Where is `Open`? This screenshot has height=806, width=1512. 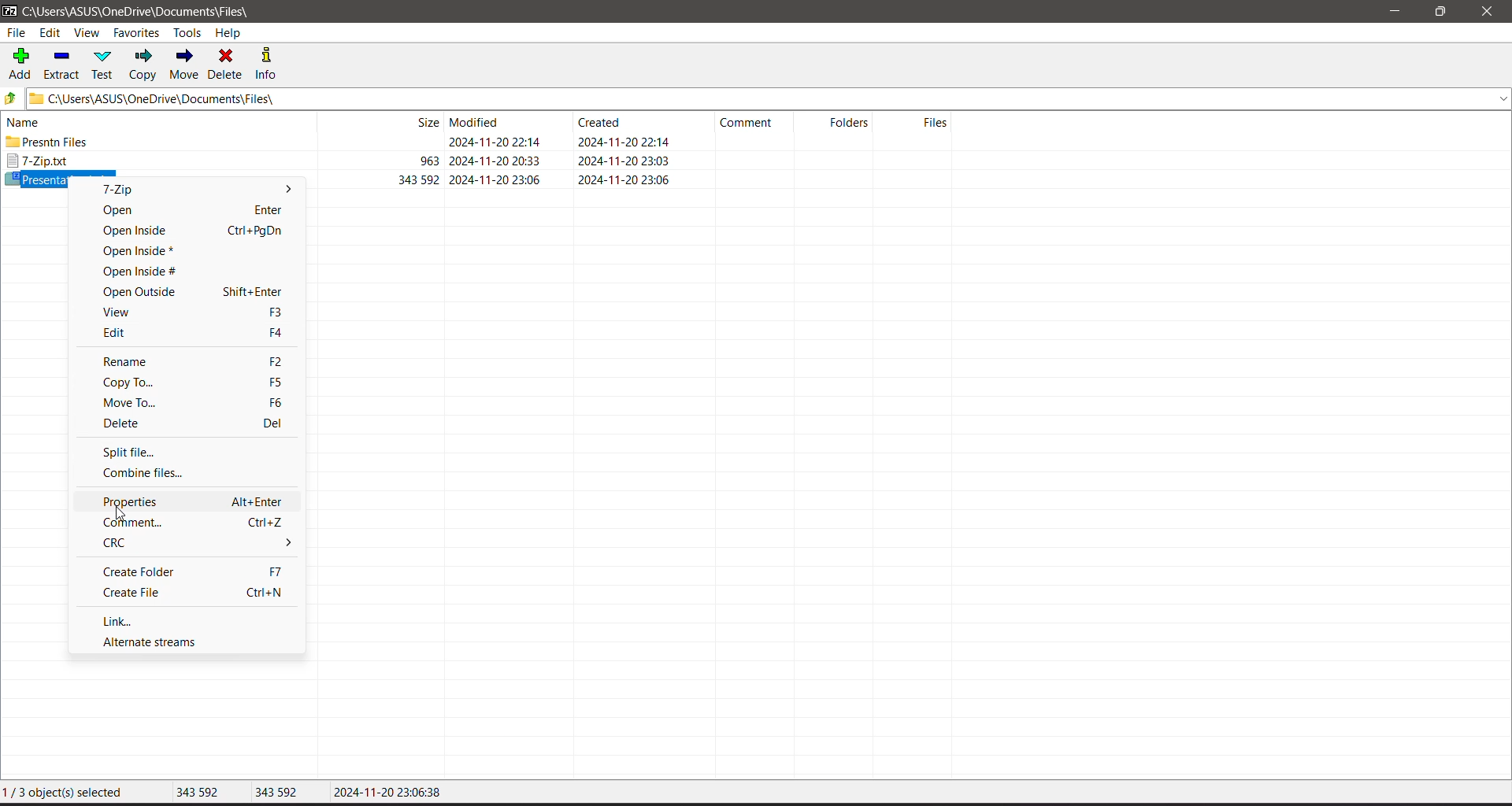 Open is located at coordinates (189, 211).